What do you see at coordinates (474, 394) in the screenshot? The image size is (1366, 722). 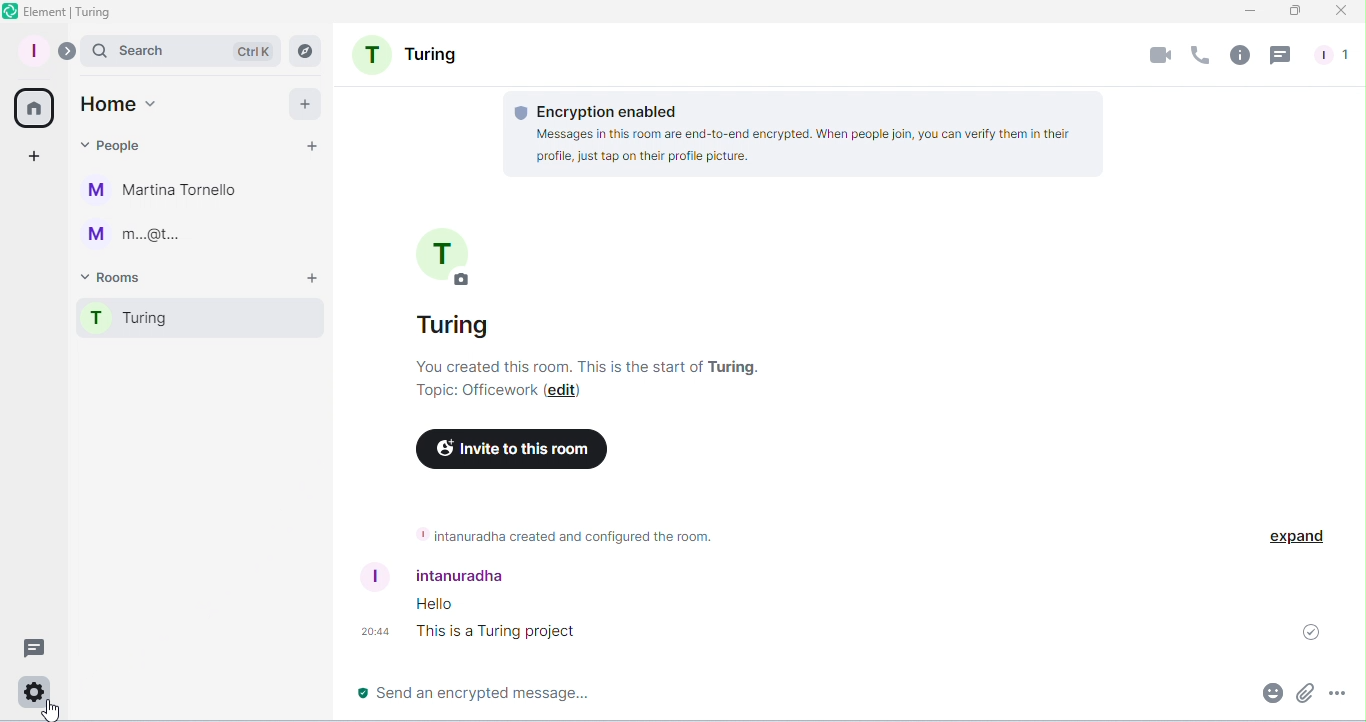 I see `Topic` at bounding box center [474, 394].